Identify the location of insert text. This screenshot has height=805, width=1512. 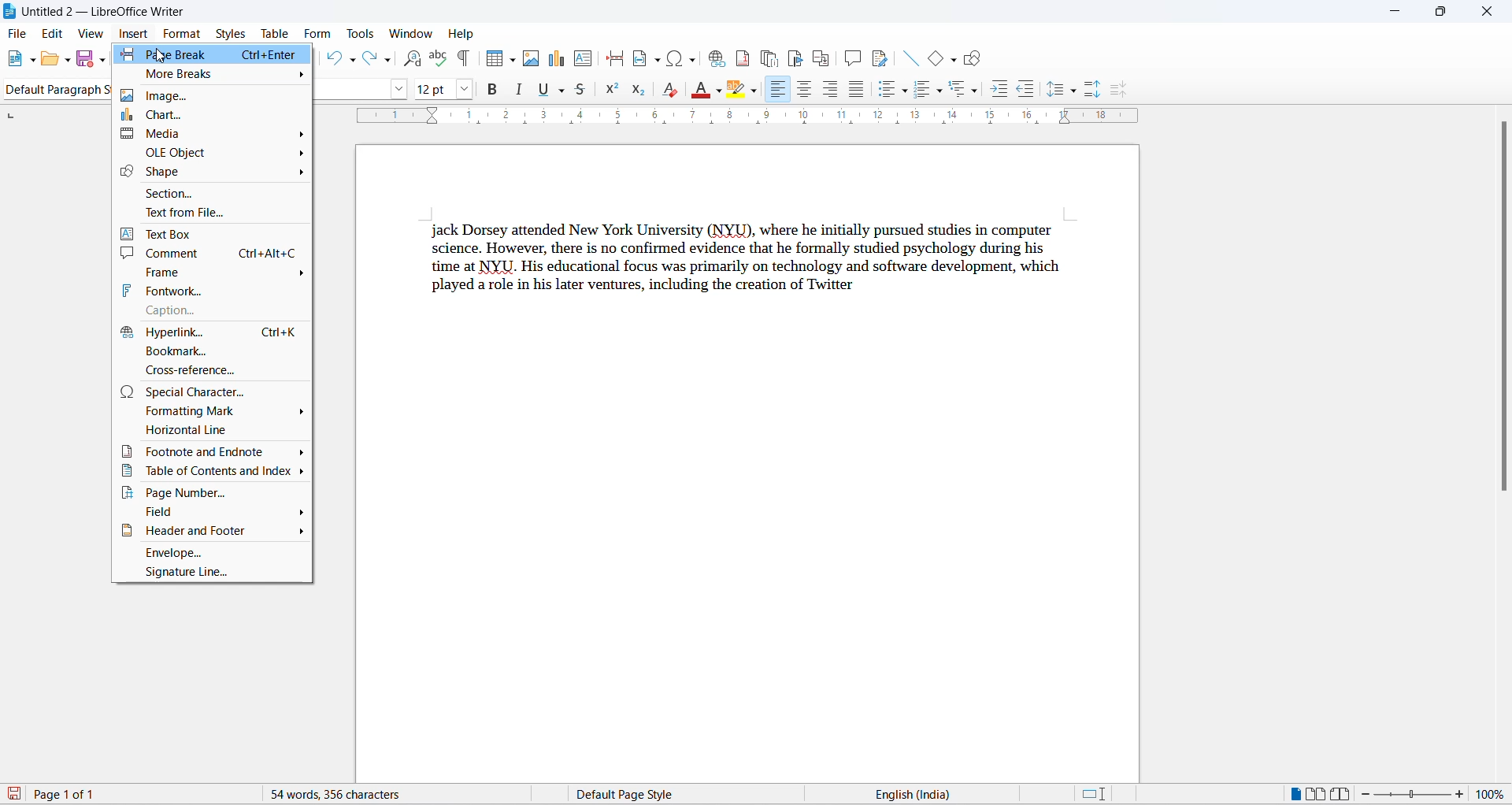
(584, 58).